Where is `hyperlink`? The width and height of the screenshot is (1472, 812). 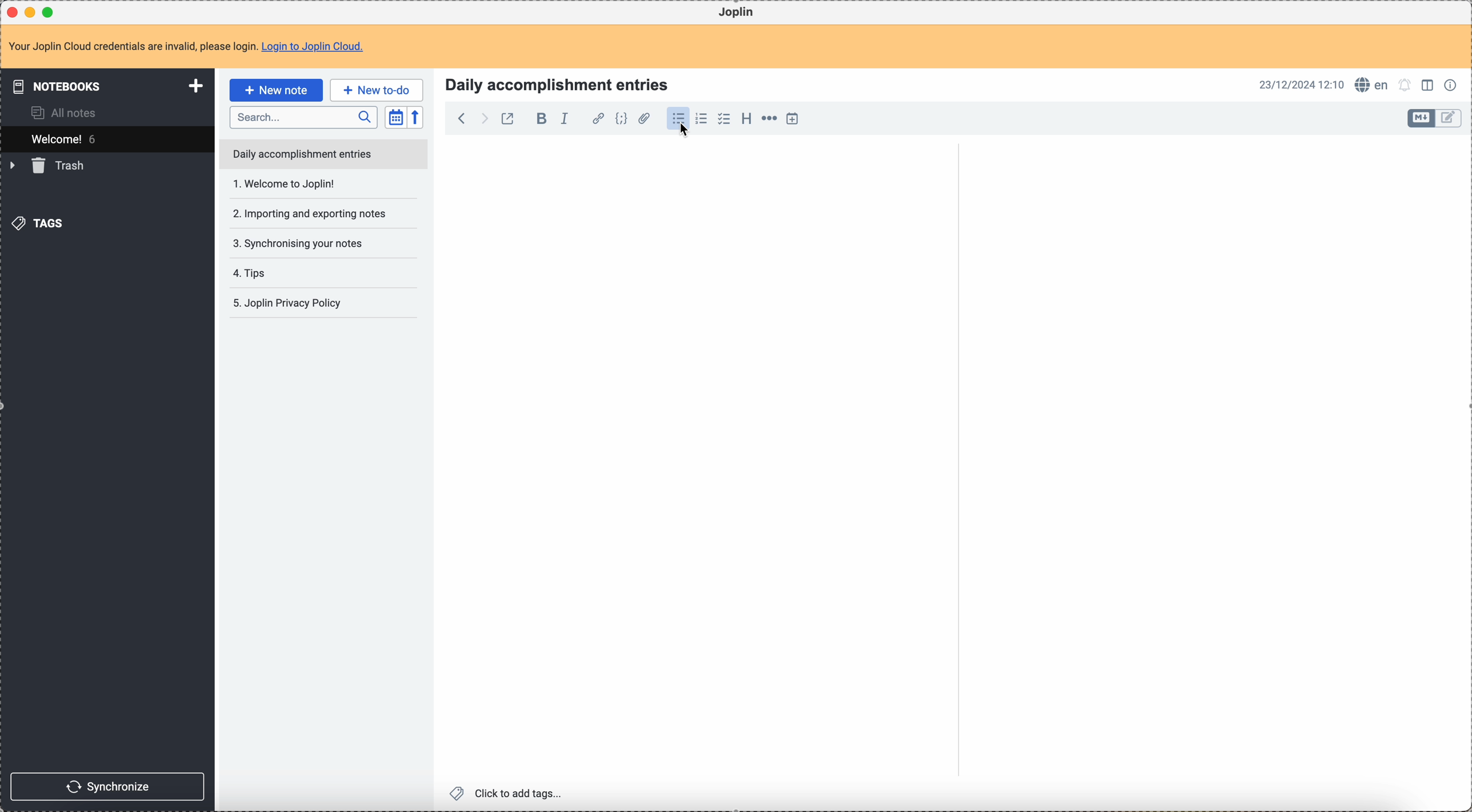
hyperlink is located at coordinates (598, 119).